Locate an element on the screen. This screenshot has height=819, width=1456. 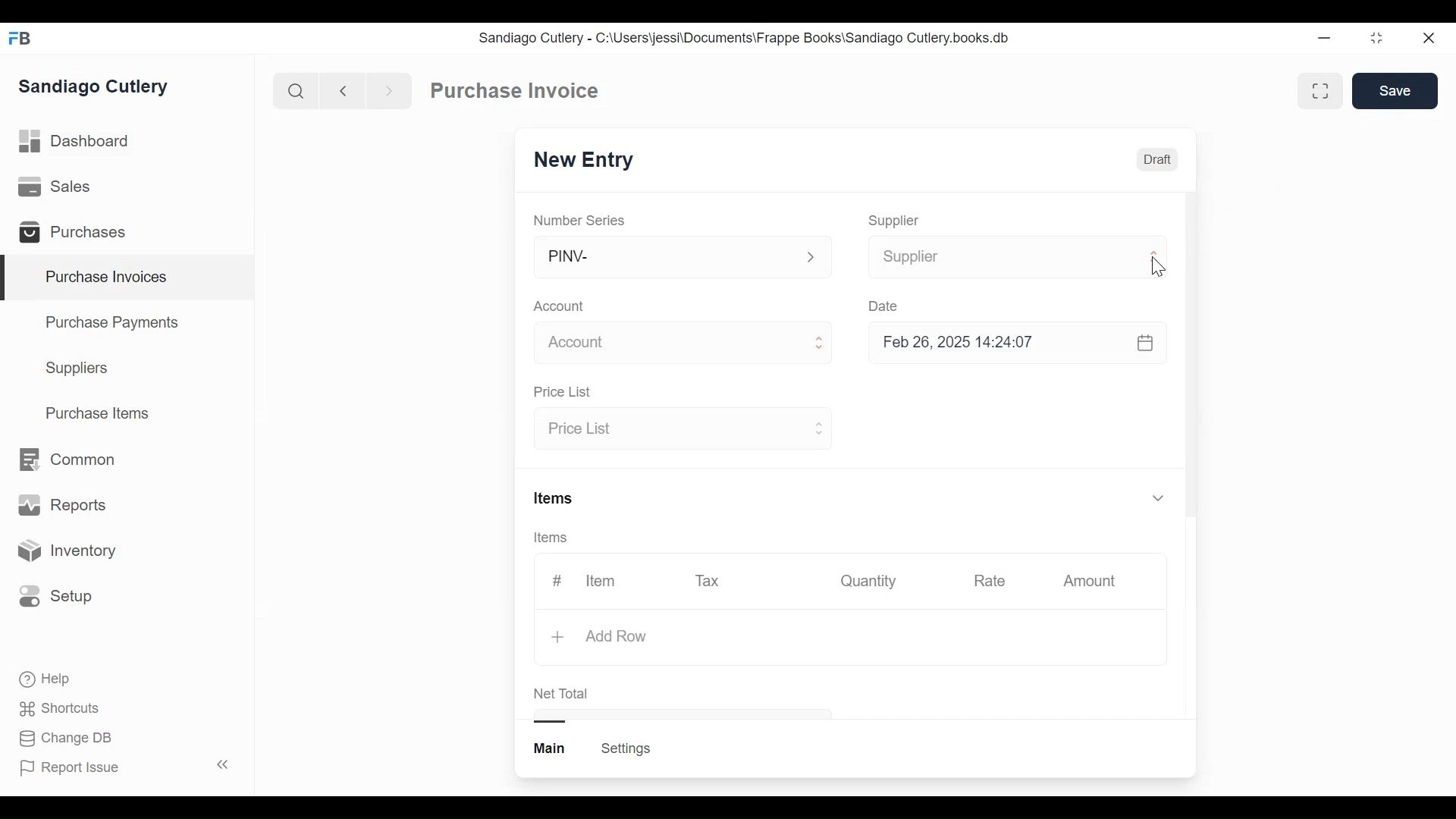
Purchase Invoices is located at coordinates (128, 278).